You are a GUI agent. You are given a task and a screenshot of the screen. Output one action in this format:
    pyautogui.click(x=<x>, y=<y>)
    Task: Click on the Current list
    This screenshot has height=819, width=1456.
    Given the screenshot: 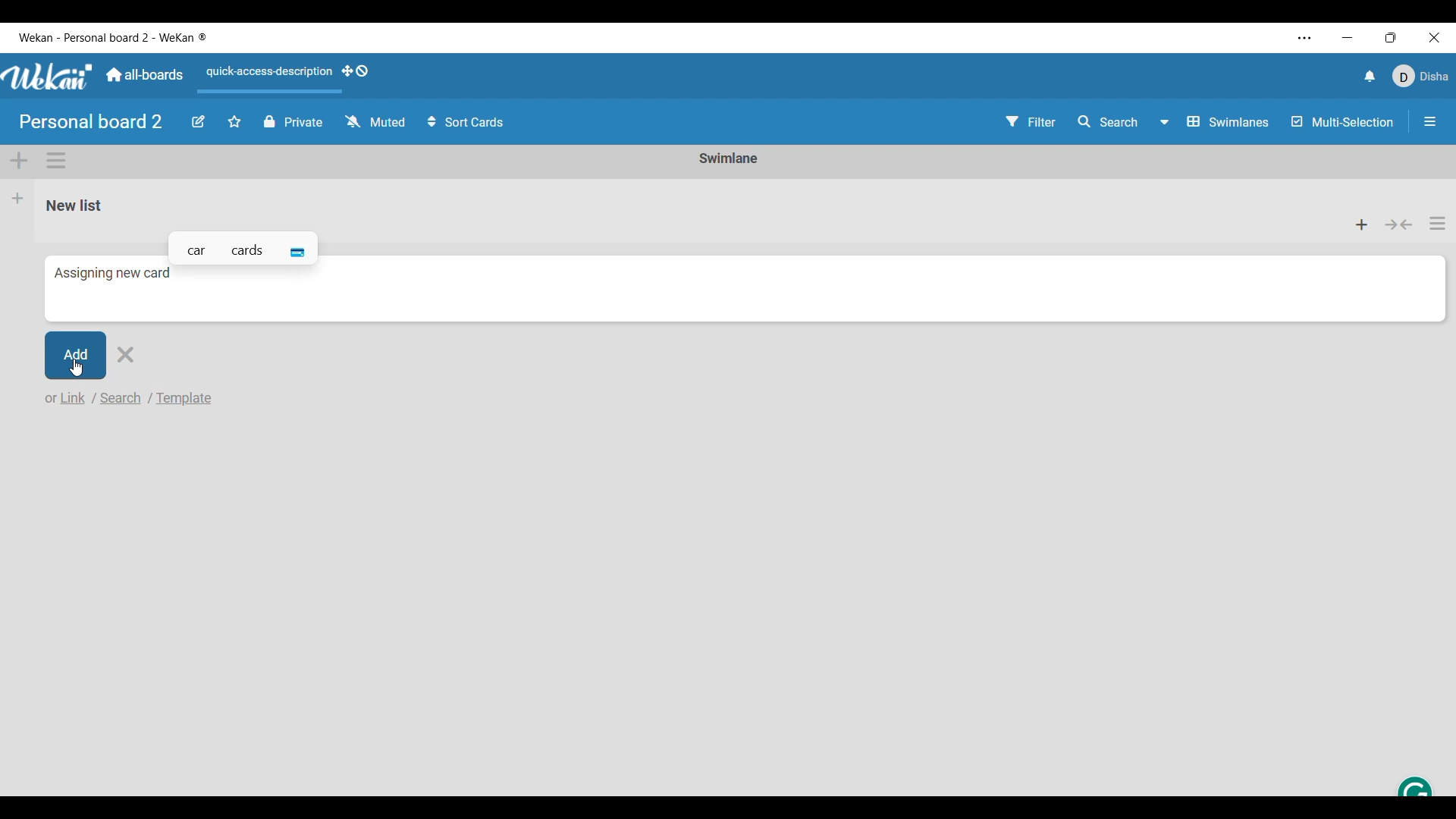 What is the action you would take?
    pyautogui.click(x=677, y=204)
    